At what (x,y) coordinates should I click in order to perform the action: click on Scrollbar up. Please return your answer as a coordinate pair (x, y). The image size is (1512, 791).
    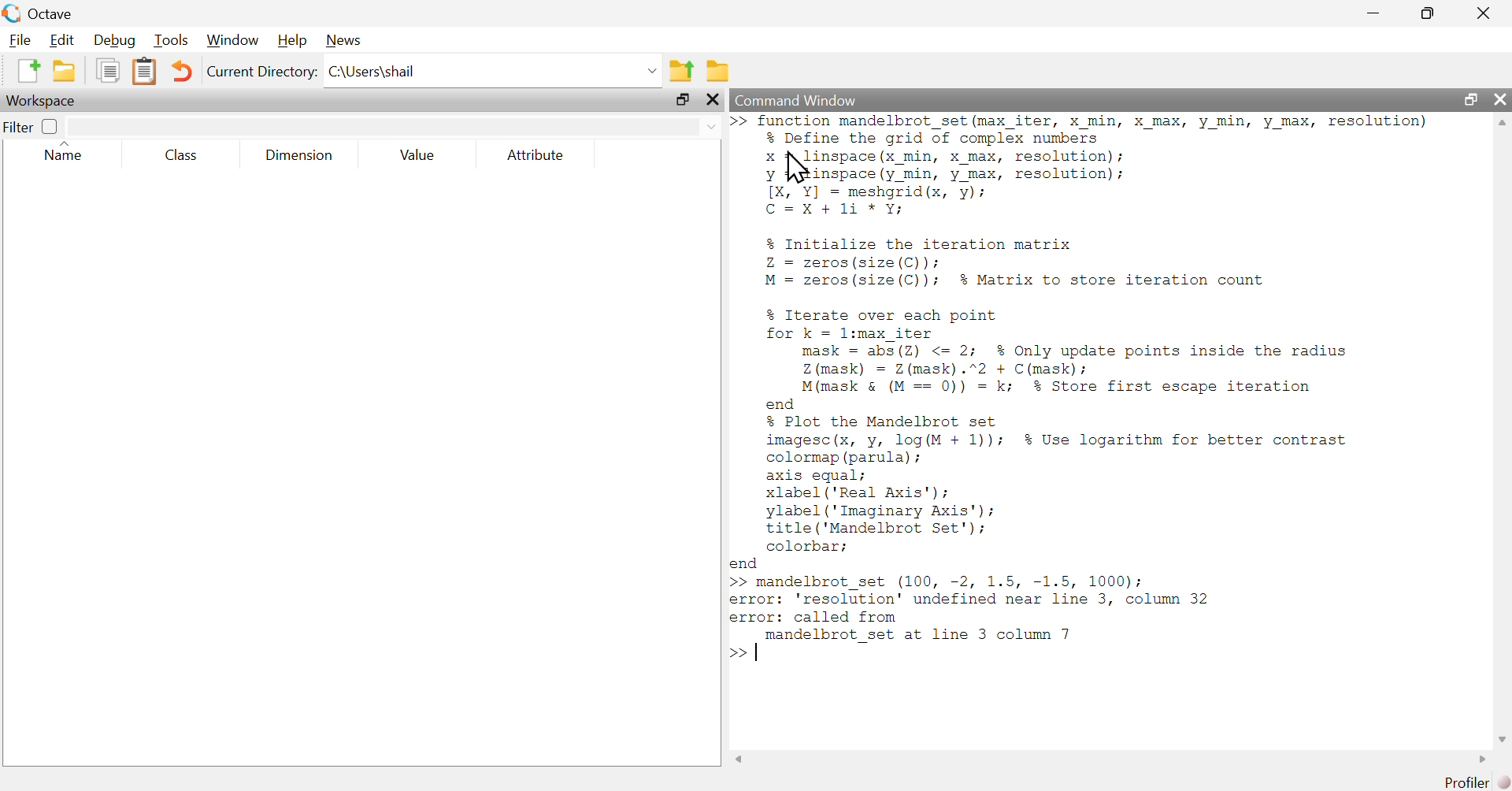
    Looking at the image, I should click on (1502, 124).